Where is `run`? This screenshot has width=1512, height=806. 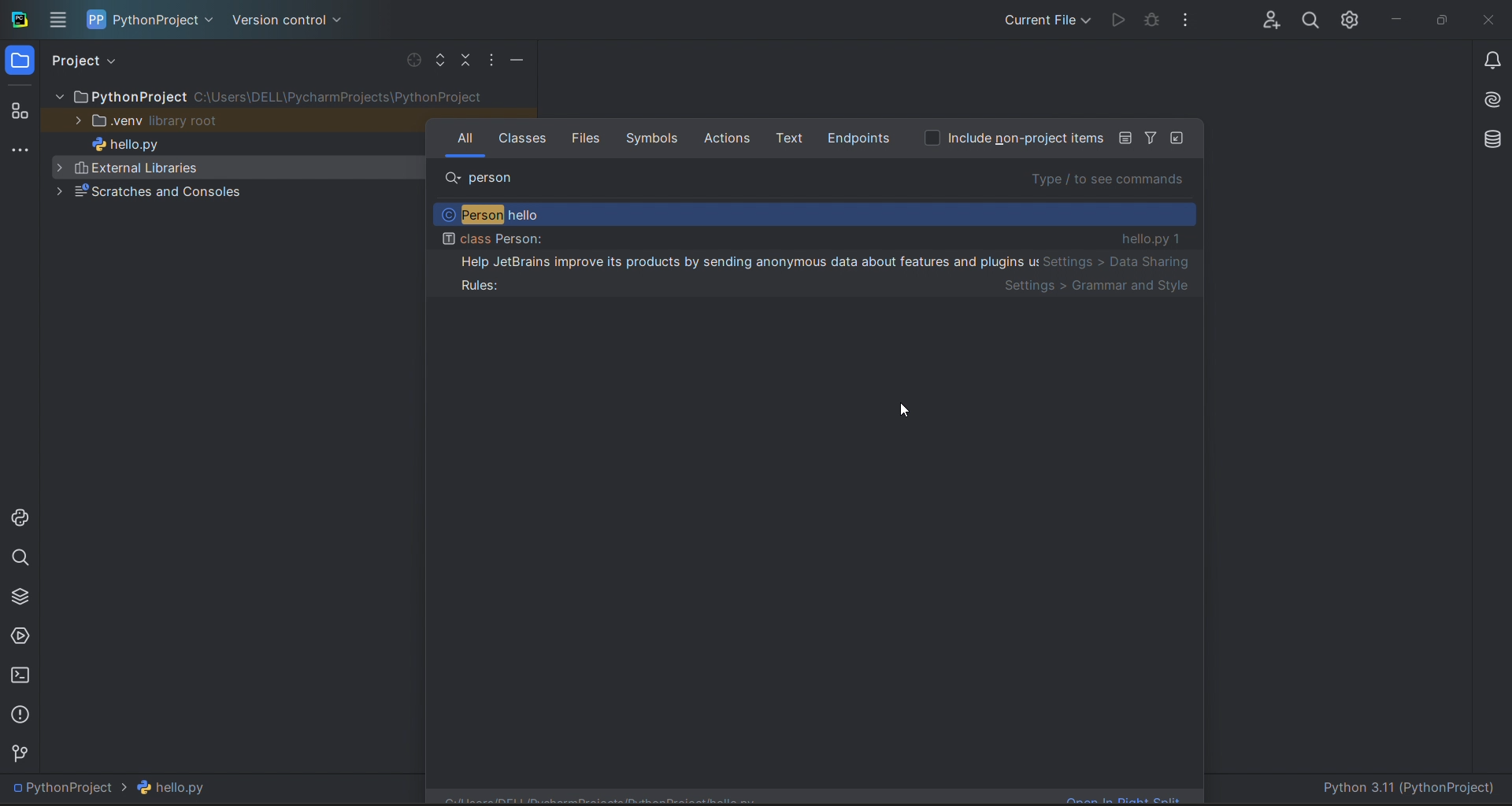 run is located at coordinates (1119, 20).